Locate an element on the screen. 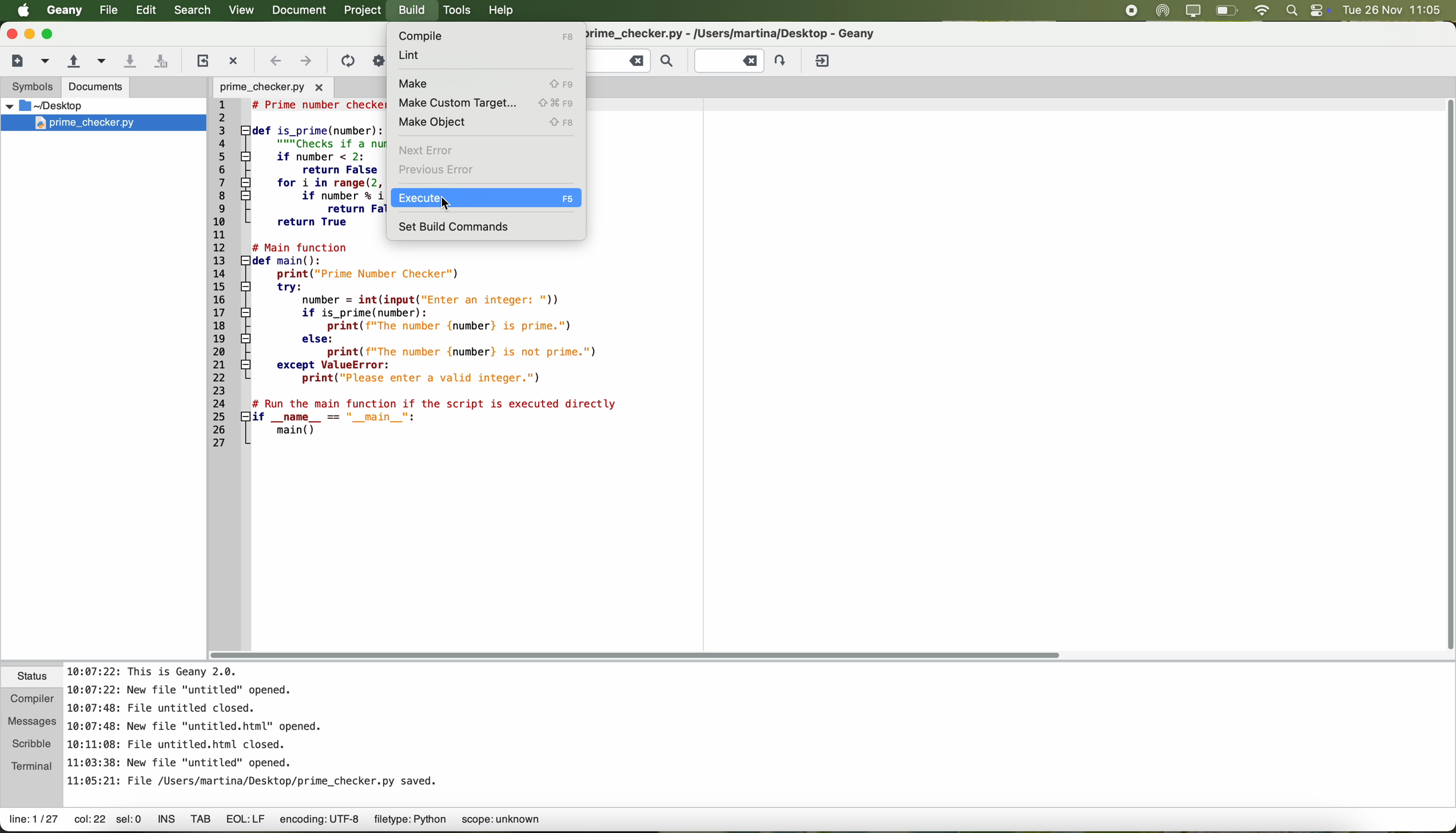 The height and width of the screenshot is (833, 1456). search is located at coordinates (192, 11).